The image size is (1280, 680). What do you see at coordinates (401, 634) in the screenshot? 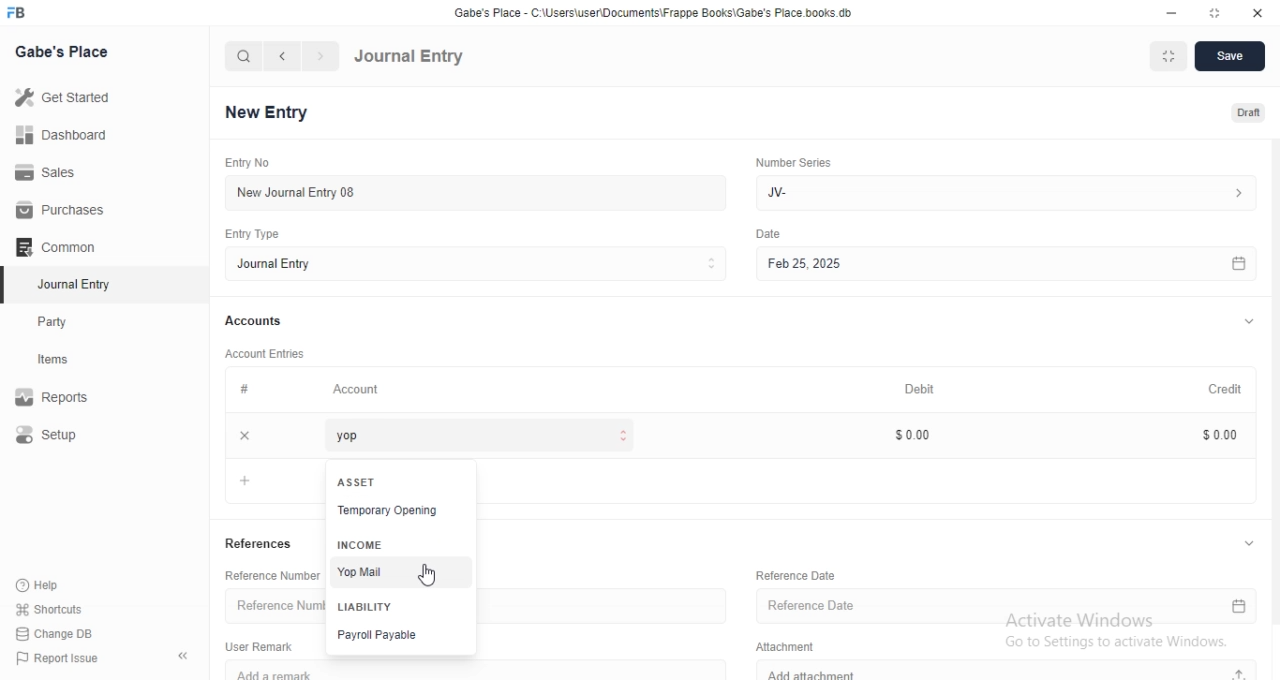
I see `Payroll Payable` at bounding box center [401, 634].